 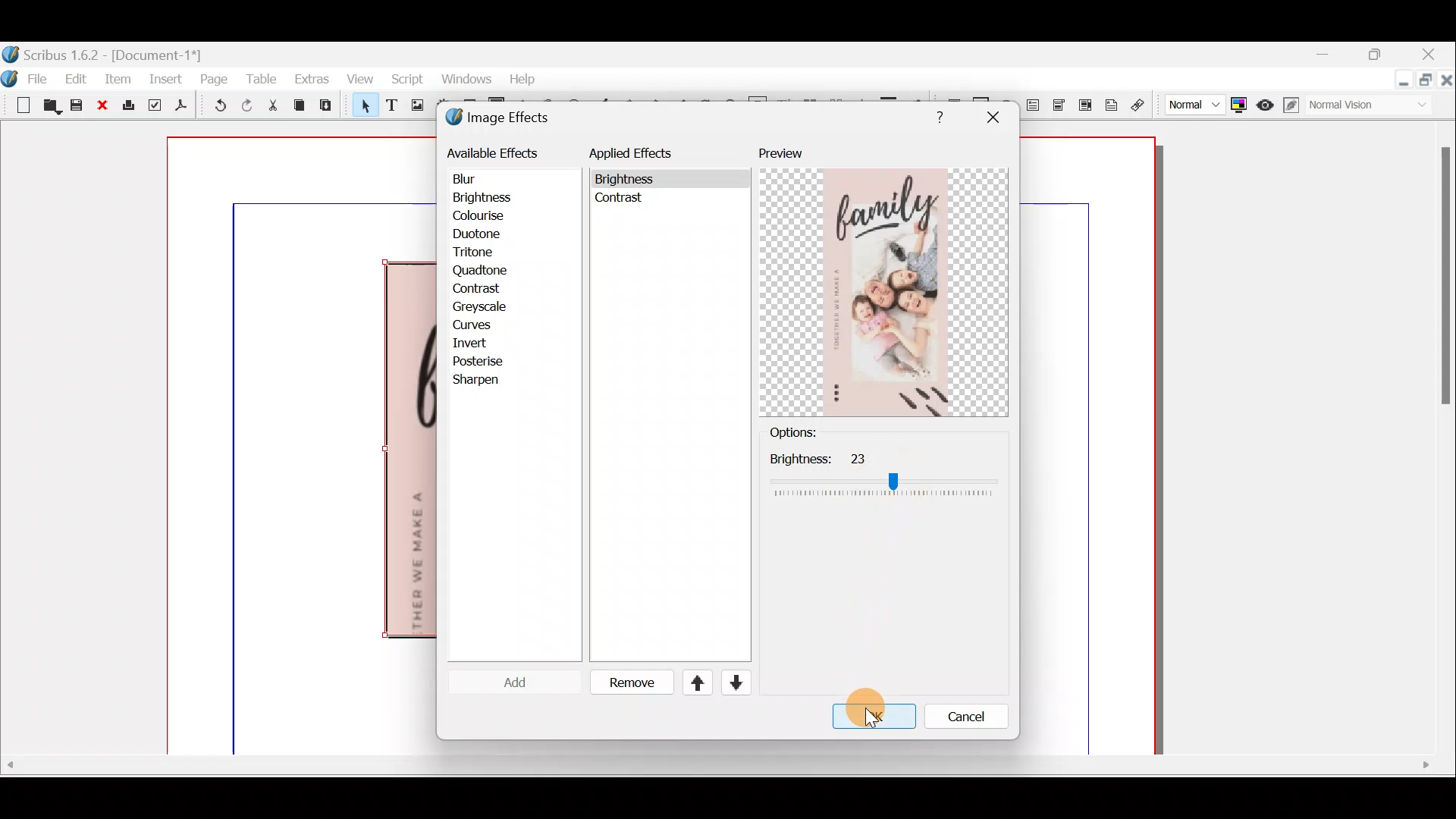 I want to click on Cut, so click(x=272, y=108).